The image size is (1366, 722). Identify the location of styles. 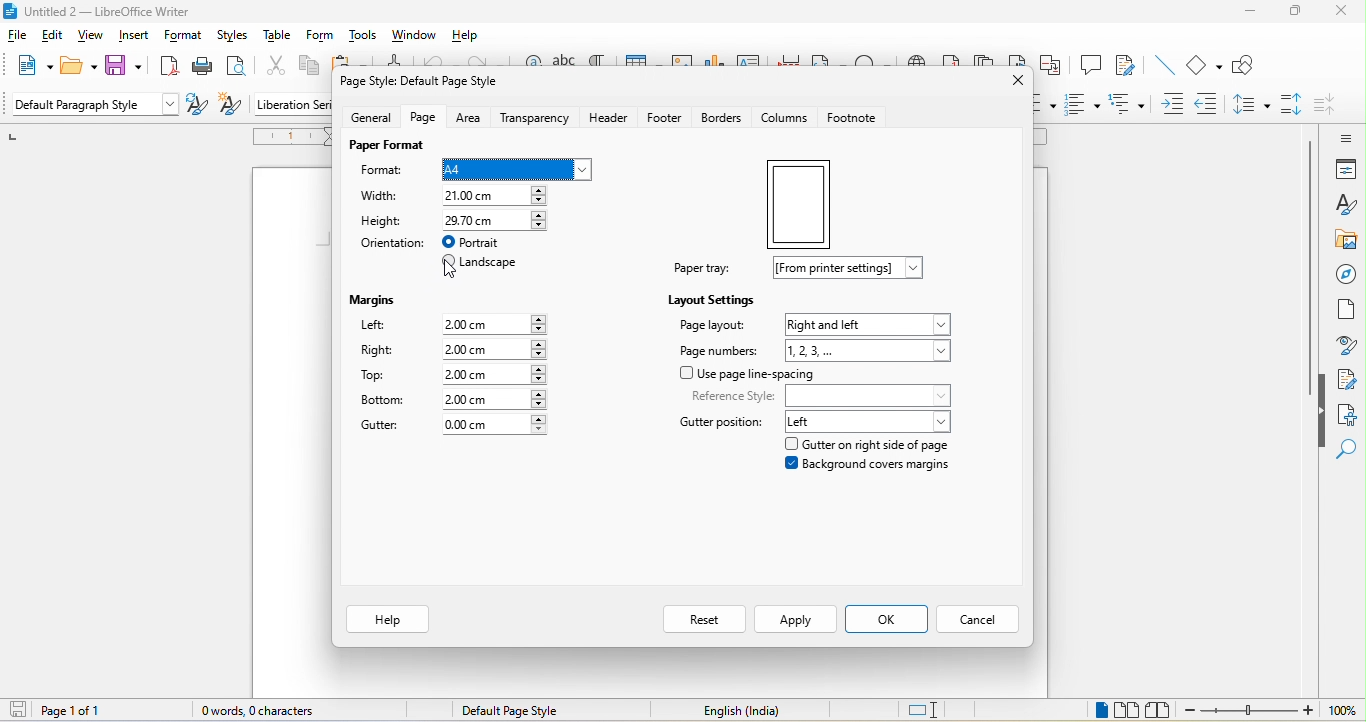
(236, 37).